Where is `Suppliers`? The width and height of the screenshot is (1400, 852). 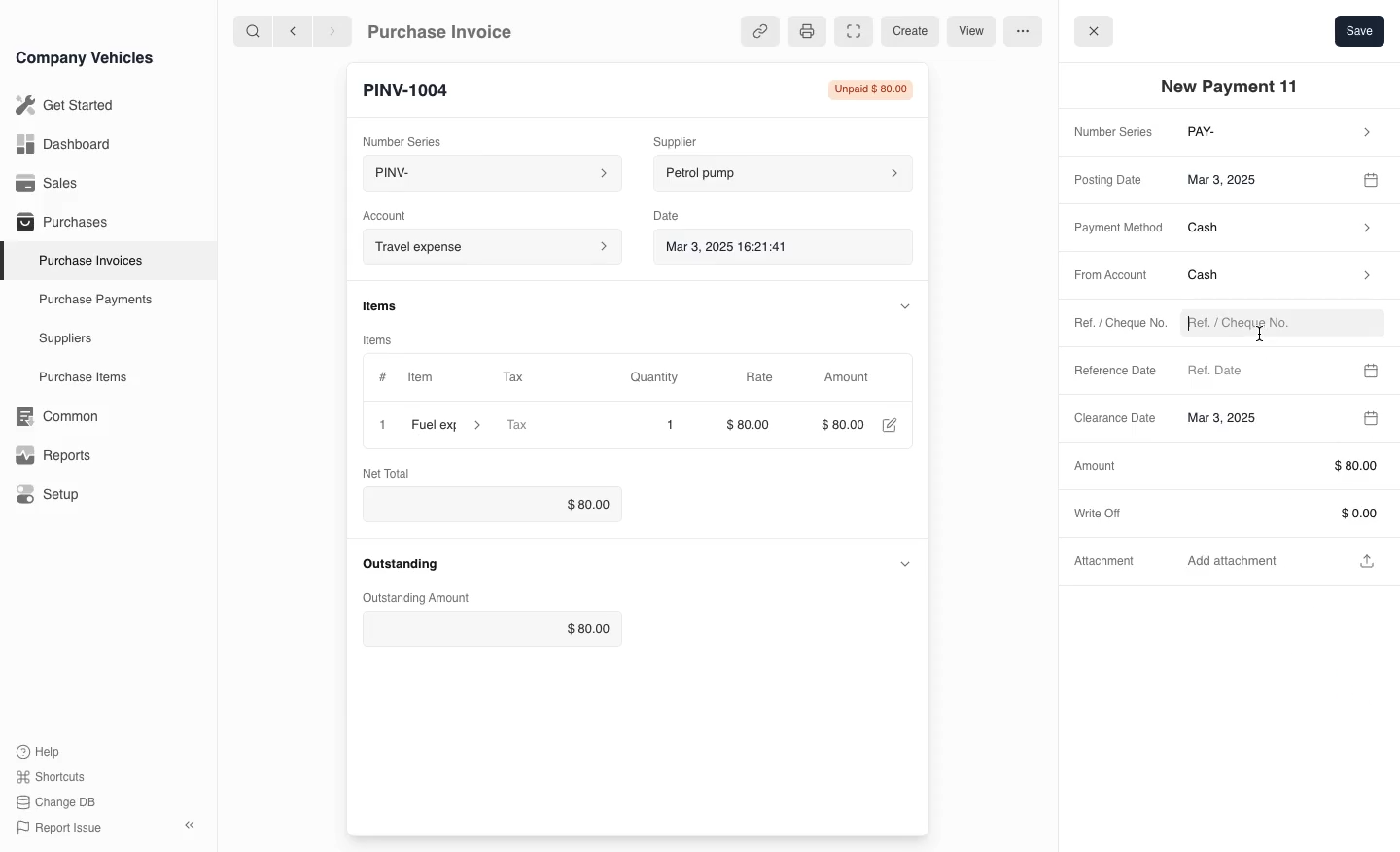 Suppliers is located at coordinates (64, 339).